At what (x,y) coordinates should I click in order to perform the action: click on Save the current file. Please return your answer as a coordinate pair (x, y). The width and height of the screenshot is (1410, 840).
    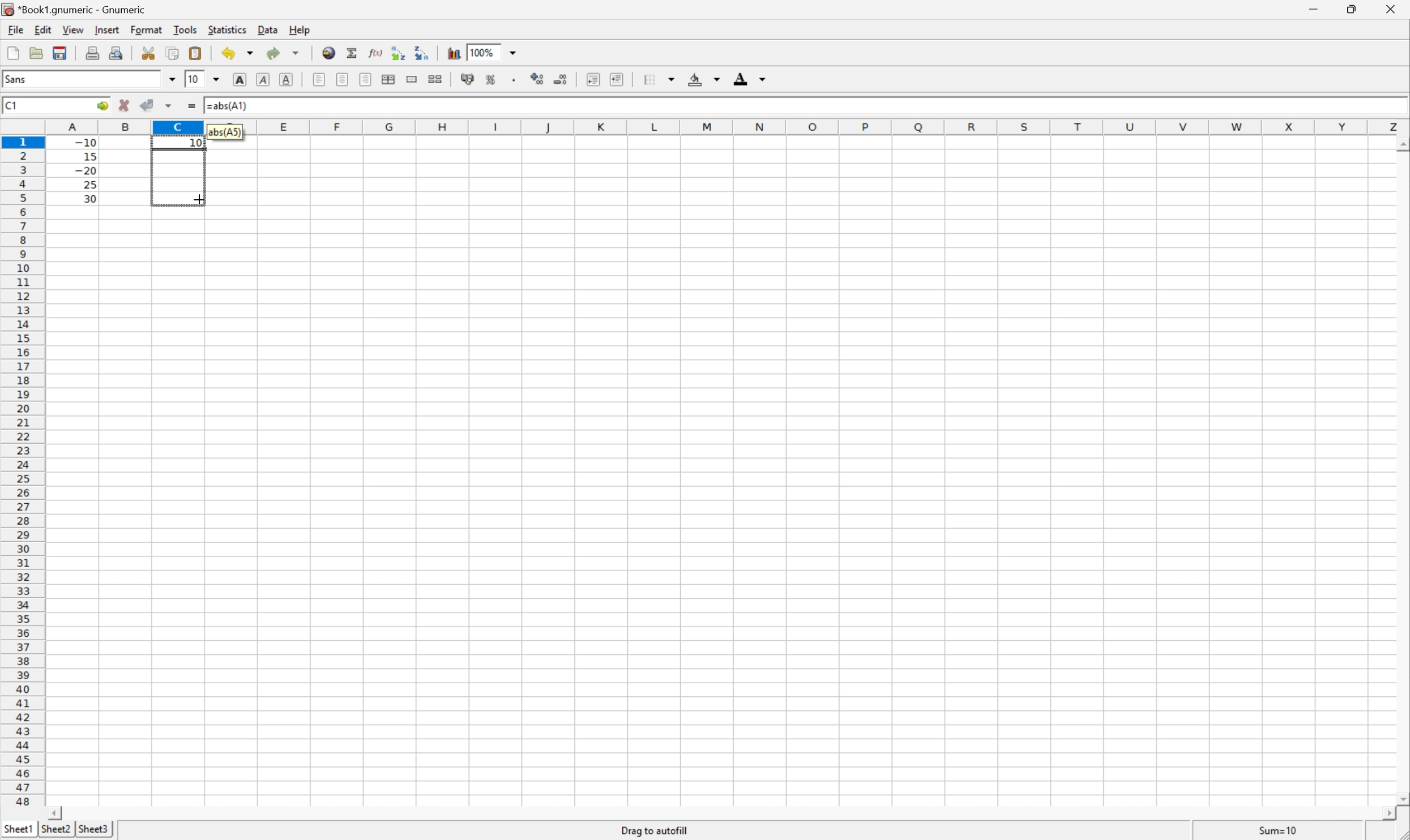
    Looking at the image, I should click on (61, 52).